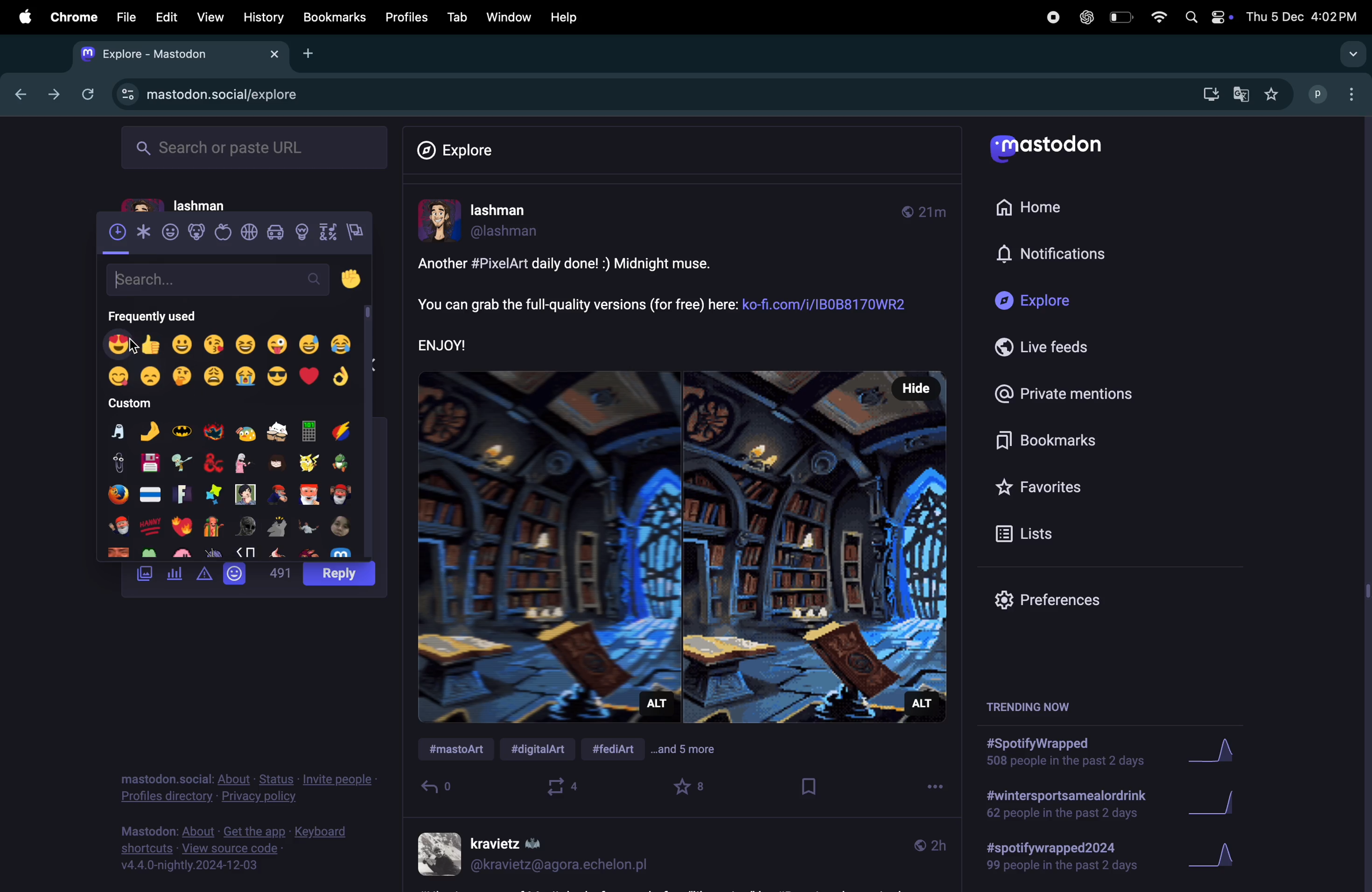 This screenshot has width=1372, height=892. What do you see at coordinates (455, 146) in the screenshot?
I see `Explore` at bounding box center [455, 146].